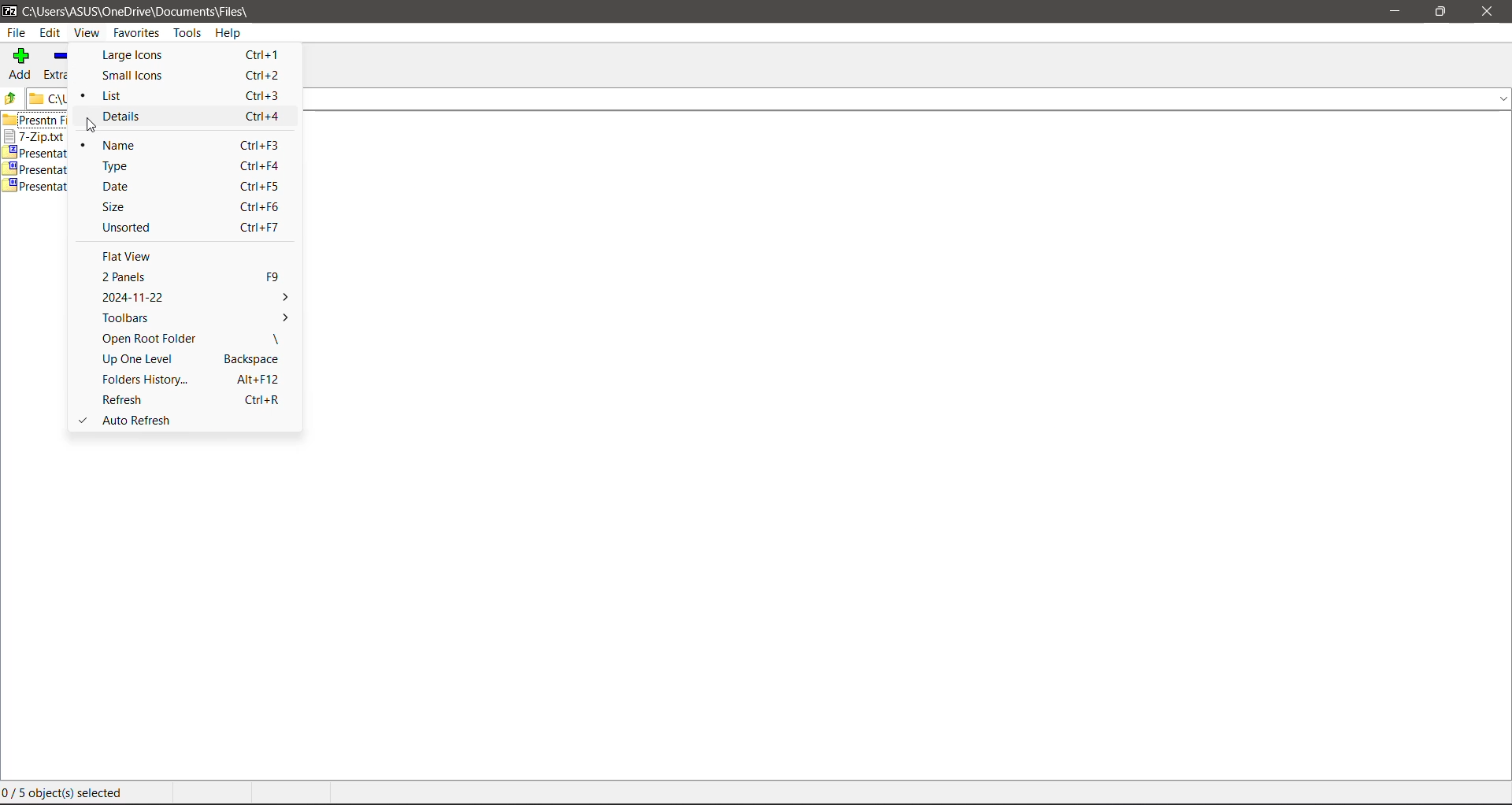 Image resolution: width=1512 pixels, height=805 pixels. What do you see at coordinates (13, 13) in the screenshot?
I see `7 zip logo` at bounding box center [13, 13].